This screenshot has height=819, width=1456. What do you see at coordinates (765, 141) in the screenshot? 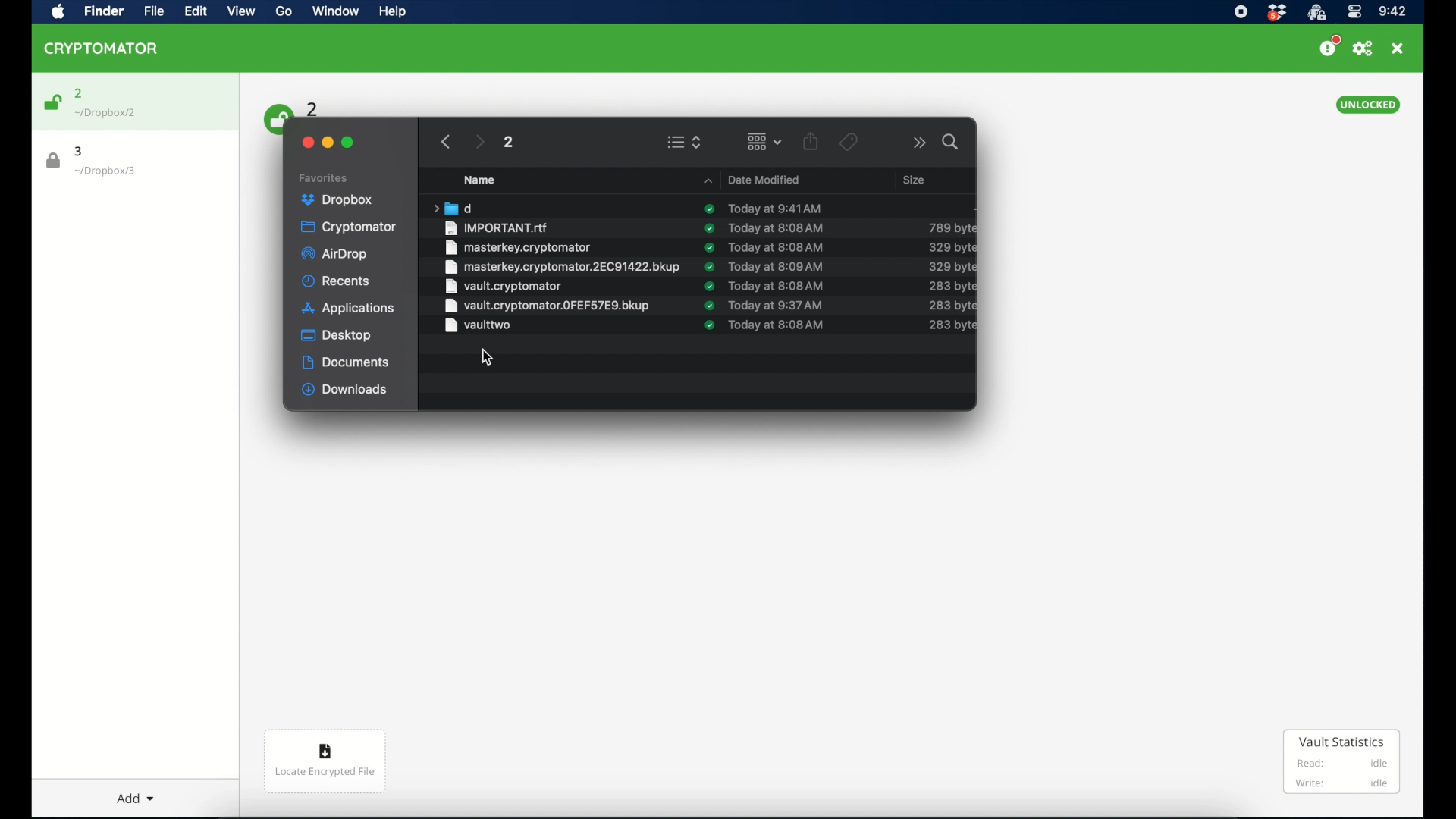
I see `change item grouping` at bounding box center [765, 141].